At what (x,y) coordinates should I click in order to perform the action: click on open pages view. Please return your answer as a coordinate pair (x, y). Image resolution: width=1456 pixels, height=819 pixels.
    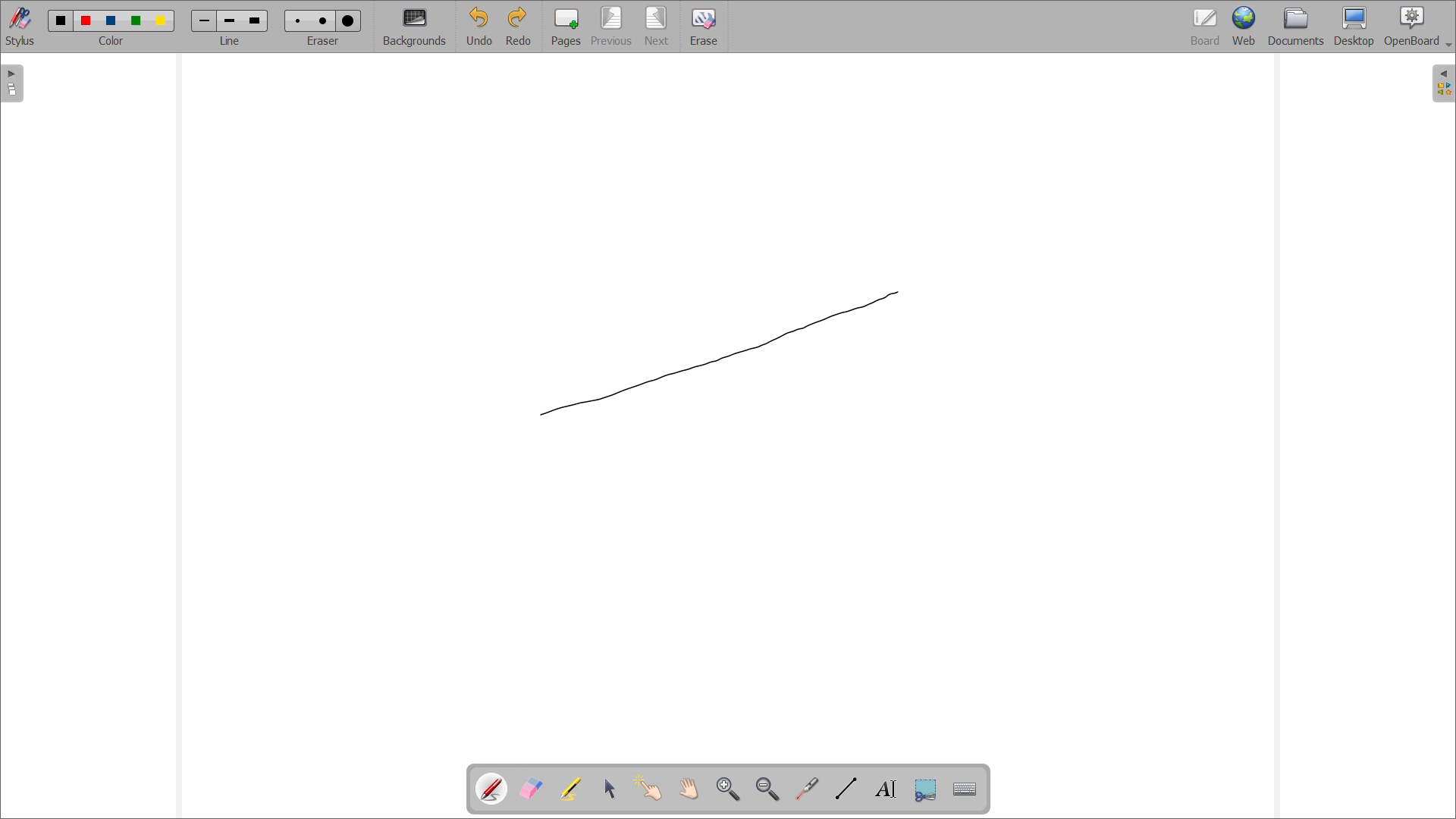
    Looking at the image, I should click on (13, 83).